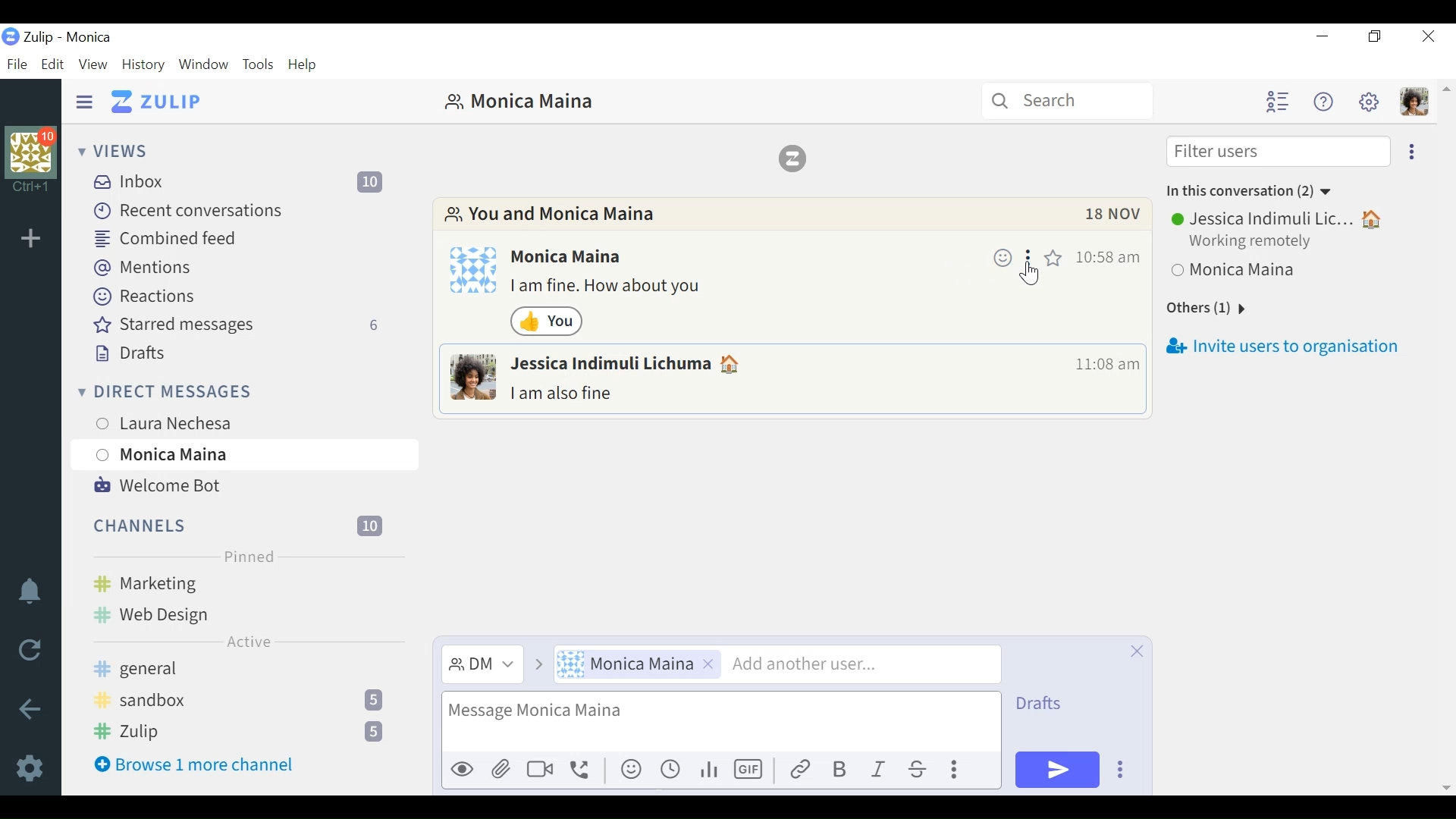 Image resolution: width=1456 pixels, height=819 pixels. I want to click on Drafts, so click(131, 354).